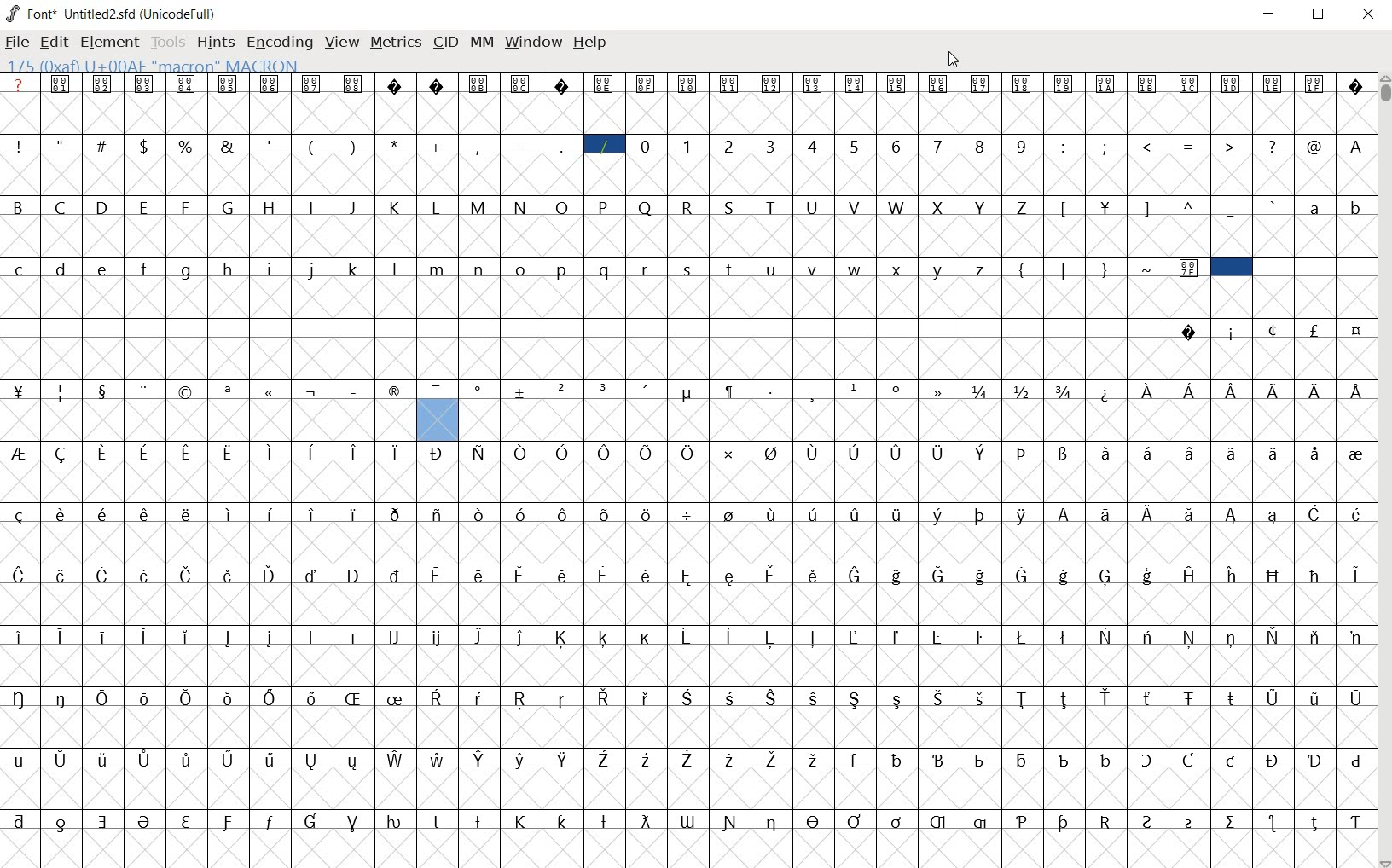  What do you see at coordinates (606, 760) in the screenshot?
I see `Symbol` at bounding box center [606, 760].